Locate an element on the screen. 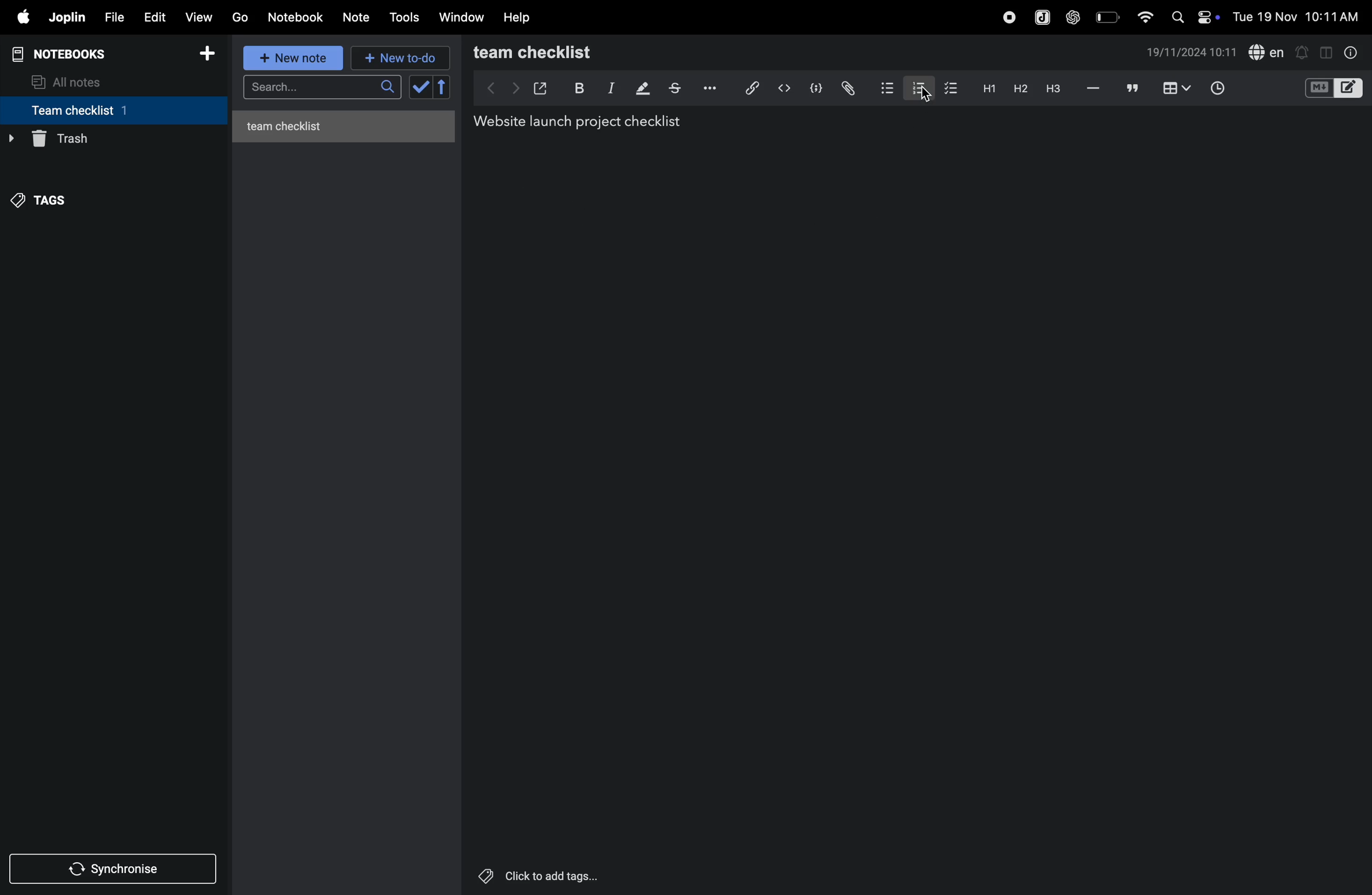  team checklist is located at coordinates (94, 110).